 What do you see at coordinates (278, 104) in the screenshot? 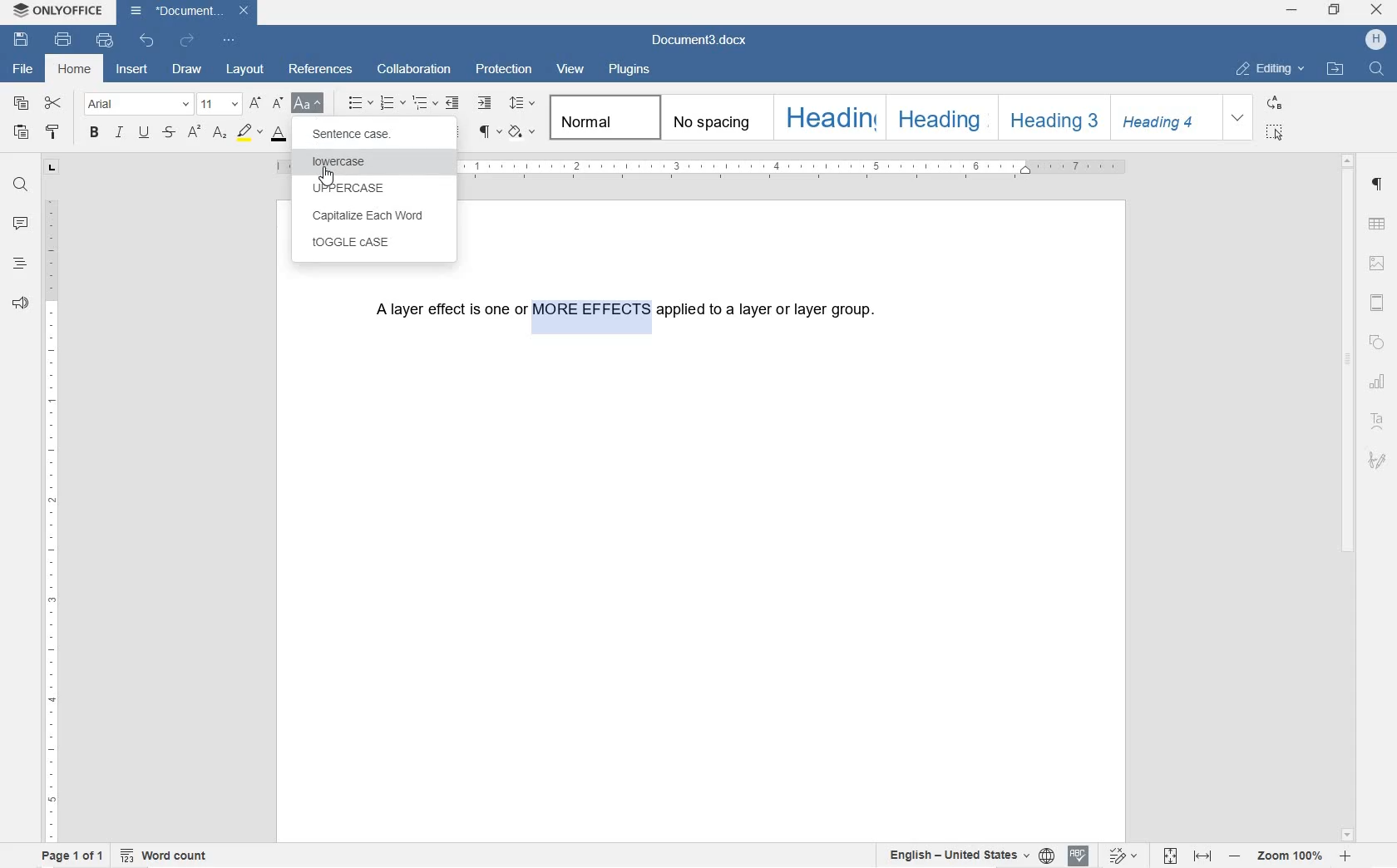
I see `INCREMENT FONT SIZE` at bounding box center [278, 104].